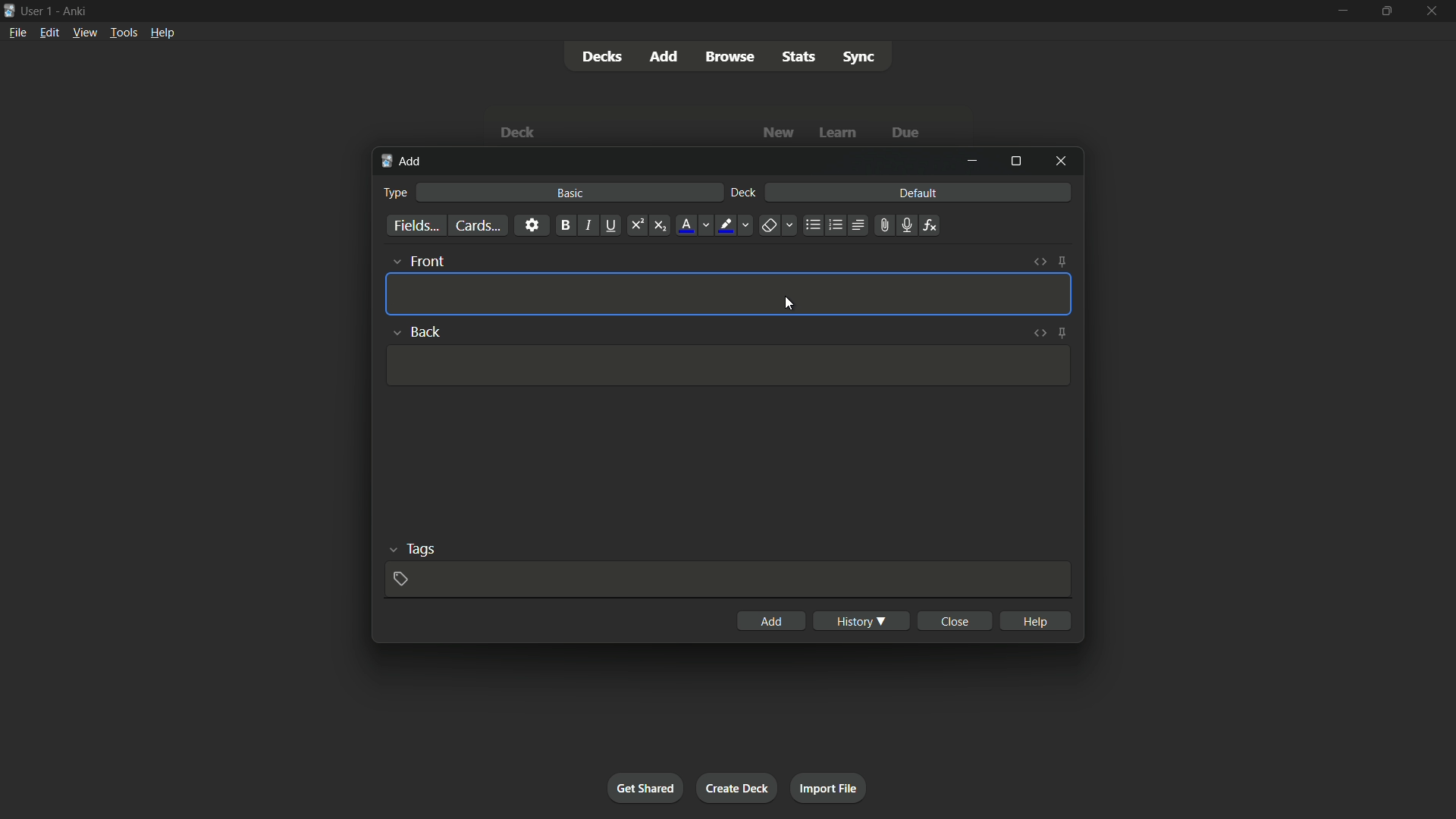  Describe the element at coordinates (645, 787) in the screenshot. I see `get shared` at that location.